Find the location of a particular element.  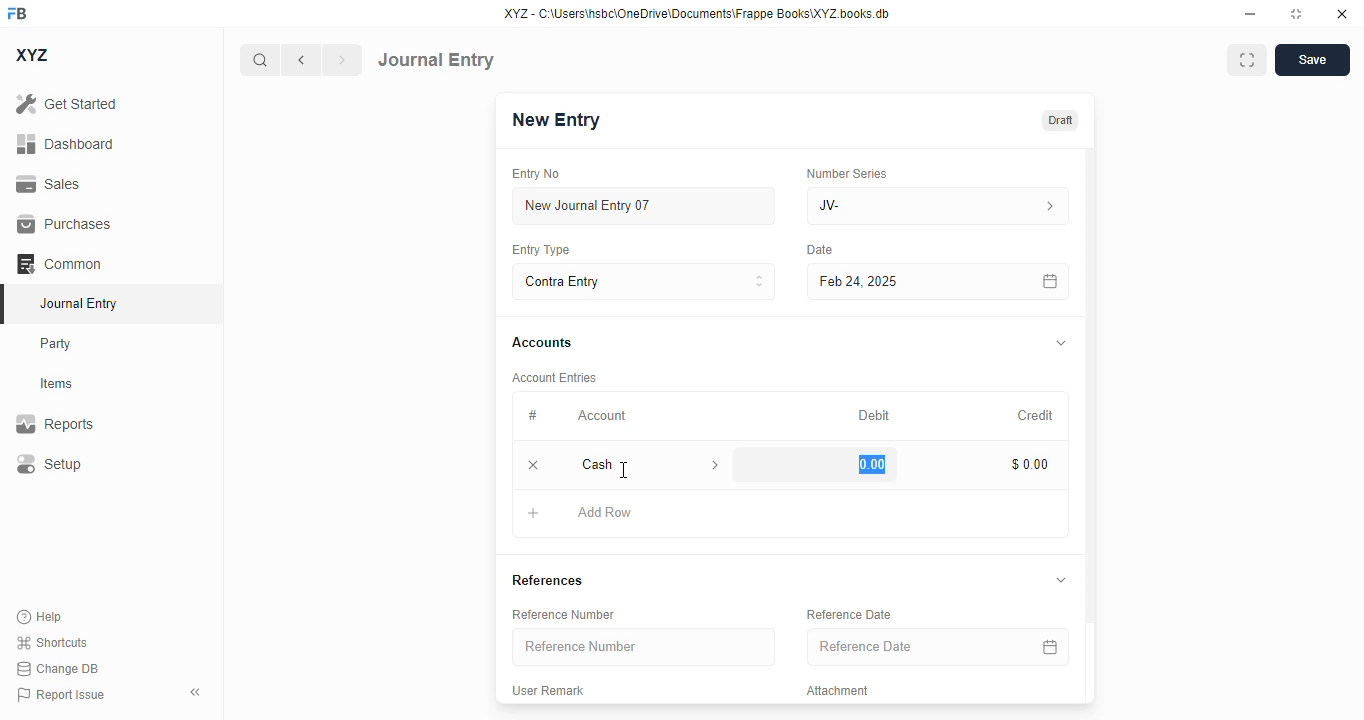

cursor is located at coordinates (625, 470).